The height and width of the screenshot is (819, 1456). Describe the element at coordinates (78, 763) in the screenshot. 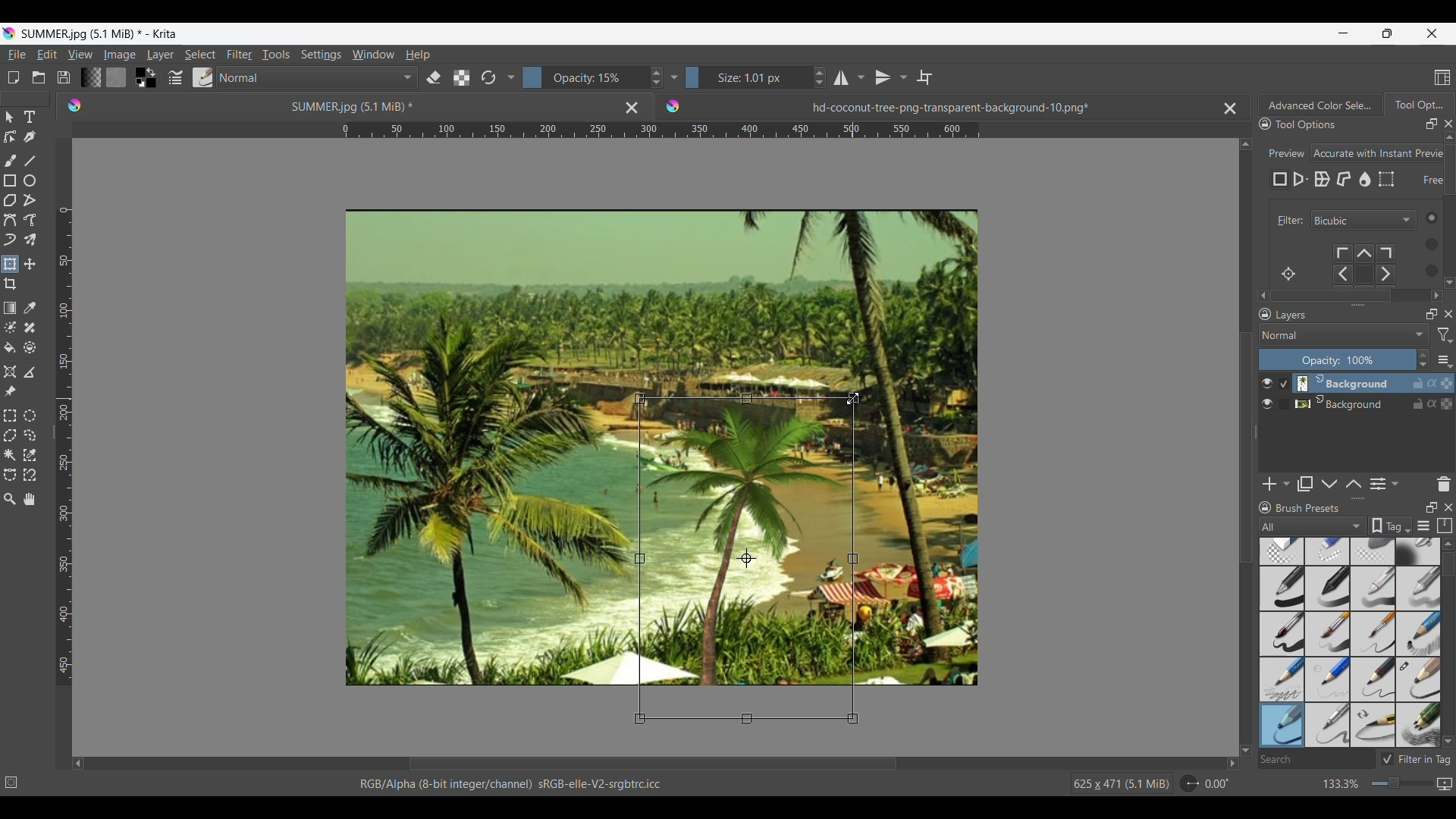

I see `Left` at that location.